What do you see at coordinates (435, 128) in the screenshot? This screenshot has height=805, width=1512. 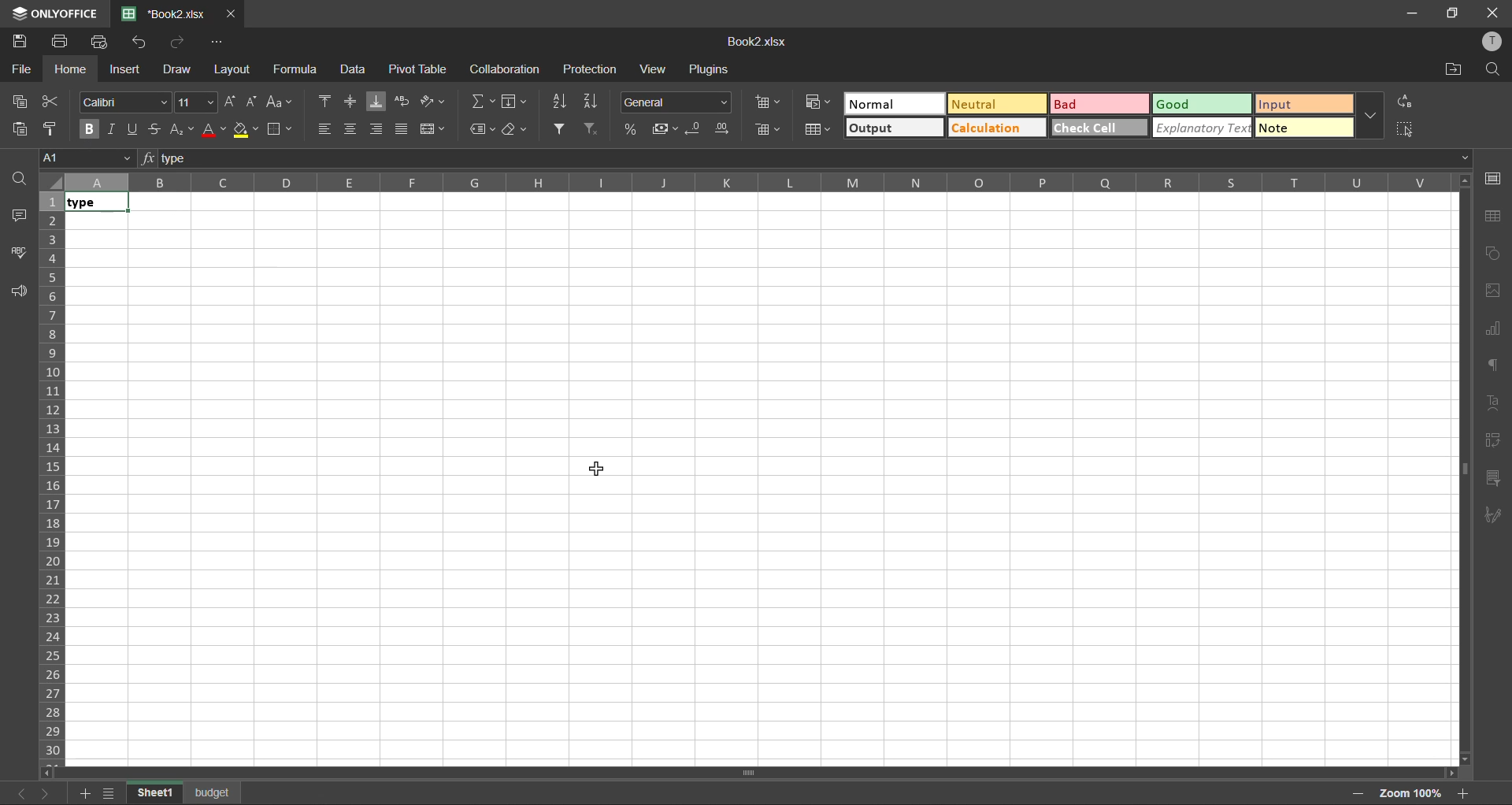 I see `merge and center` at bounding box center [435, 128].